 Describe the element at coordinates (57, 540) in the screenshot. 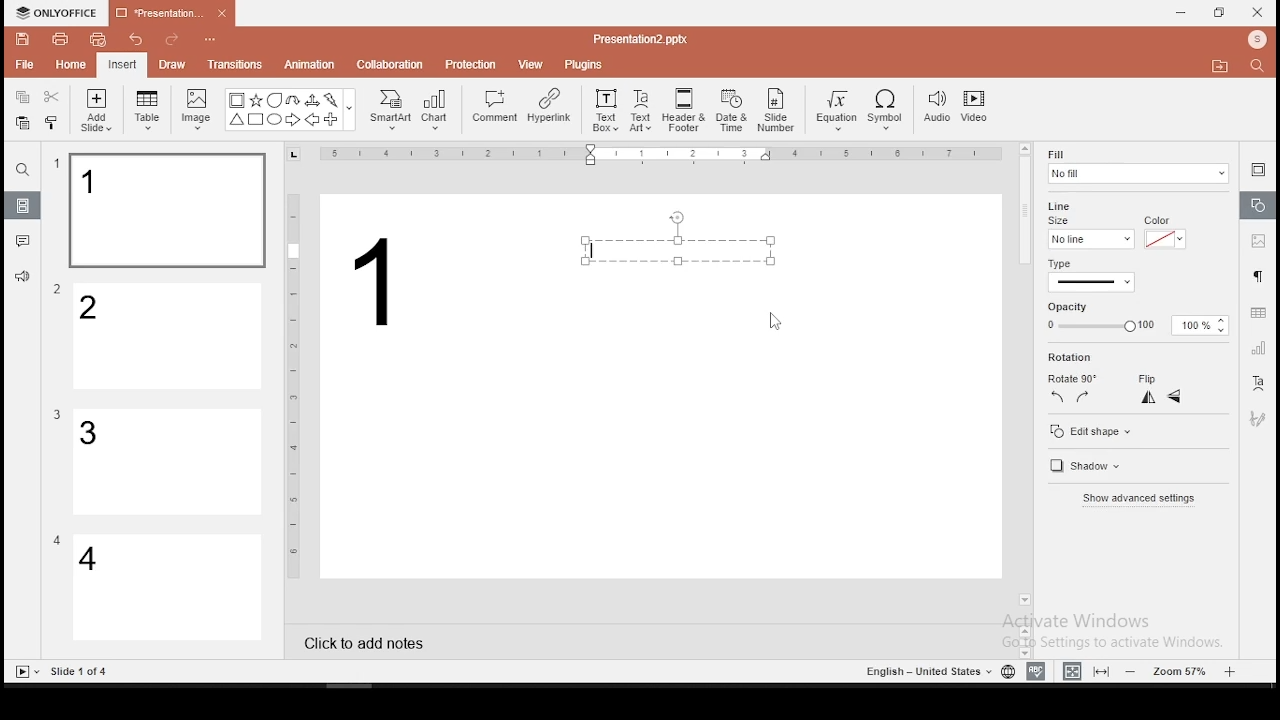

I see `` at that location.